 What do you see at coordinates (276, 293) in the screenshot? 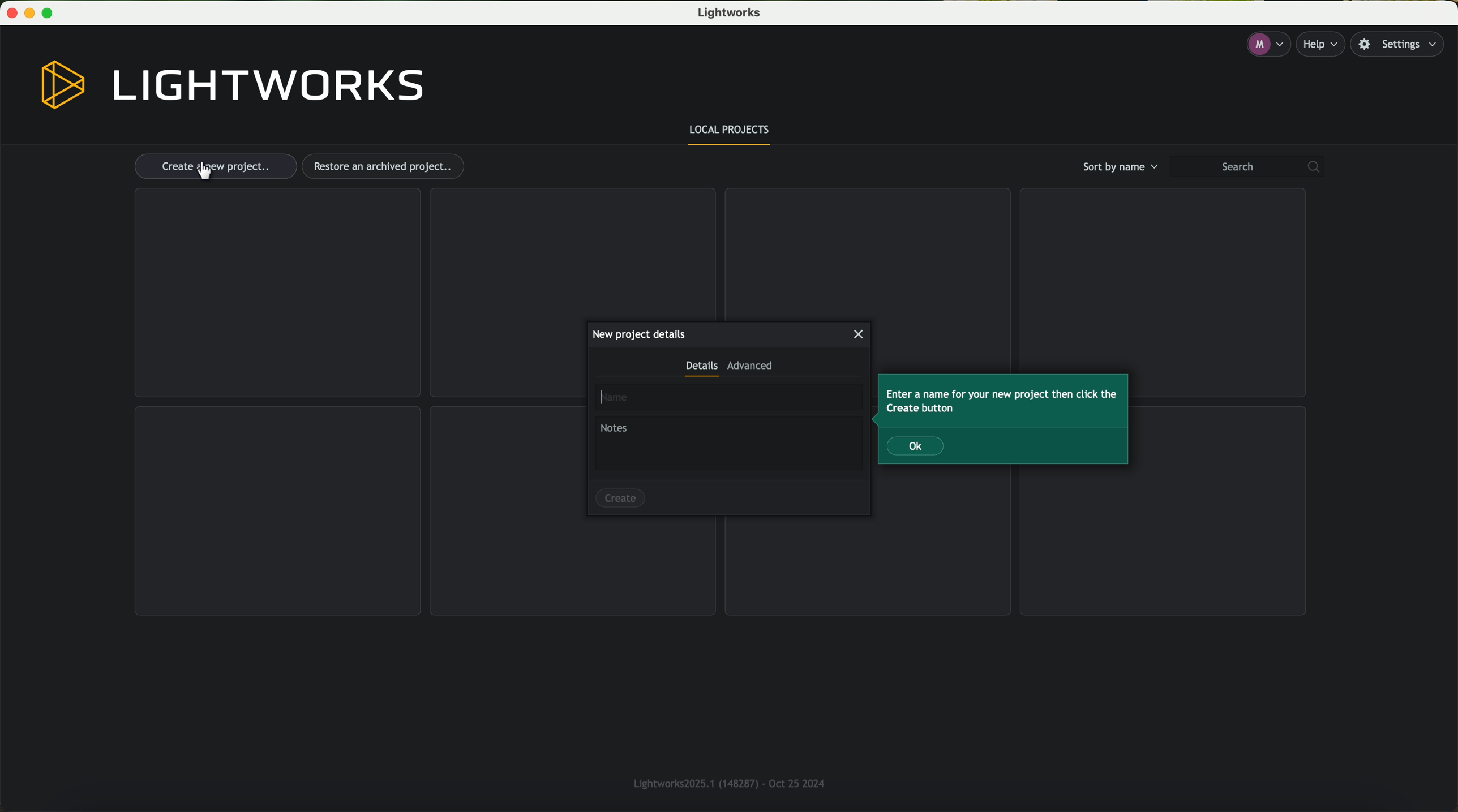
I see `grid` at bounding box center [276, 293].